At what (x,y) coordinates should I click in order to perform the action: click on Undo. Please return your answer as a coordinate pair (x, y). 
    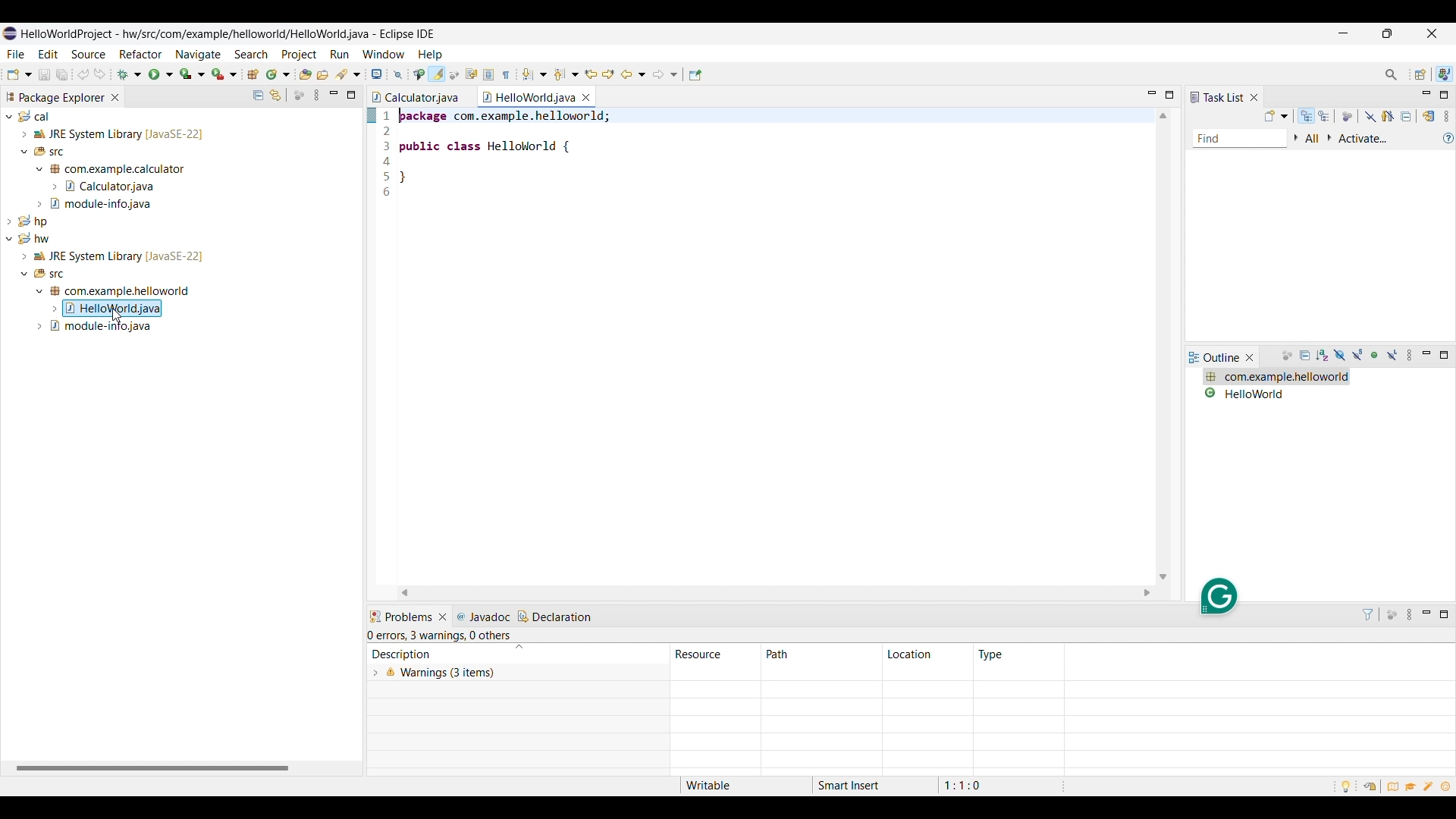
    Looking at the image, I should click on (99, 74).